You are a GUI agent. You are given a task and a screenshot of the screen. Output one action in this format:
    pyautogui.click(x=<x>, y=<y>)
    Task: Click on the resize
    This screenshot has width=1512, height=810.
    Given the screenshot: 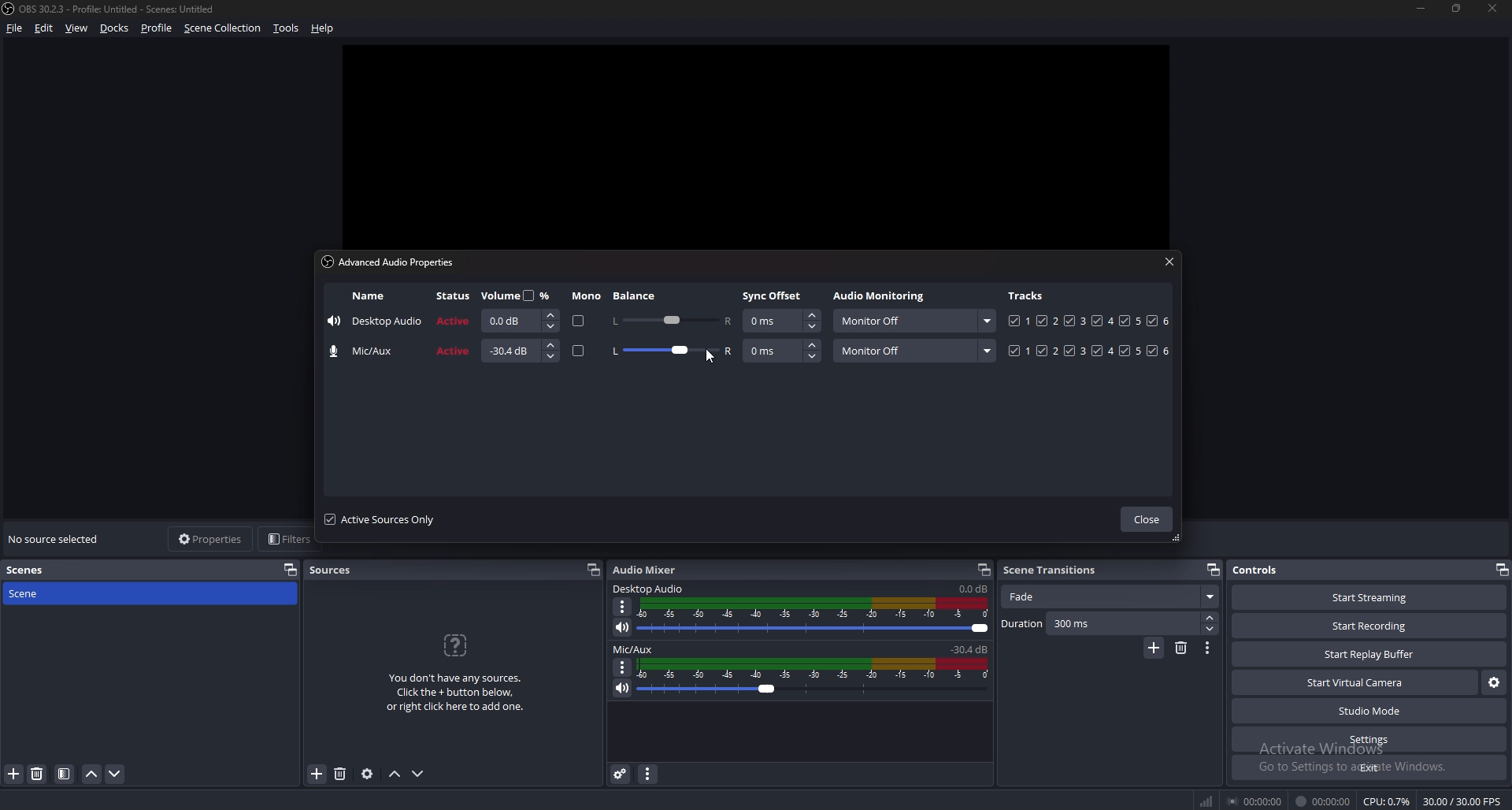 What is the action you would take?
    pyautogui.click(x=1458, y=9)
    